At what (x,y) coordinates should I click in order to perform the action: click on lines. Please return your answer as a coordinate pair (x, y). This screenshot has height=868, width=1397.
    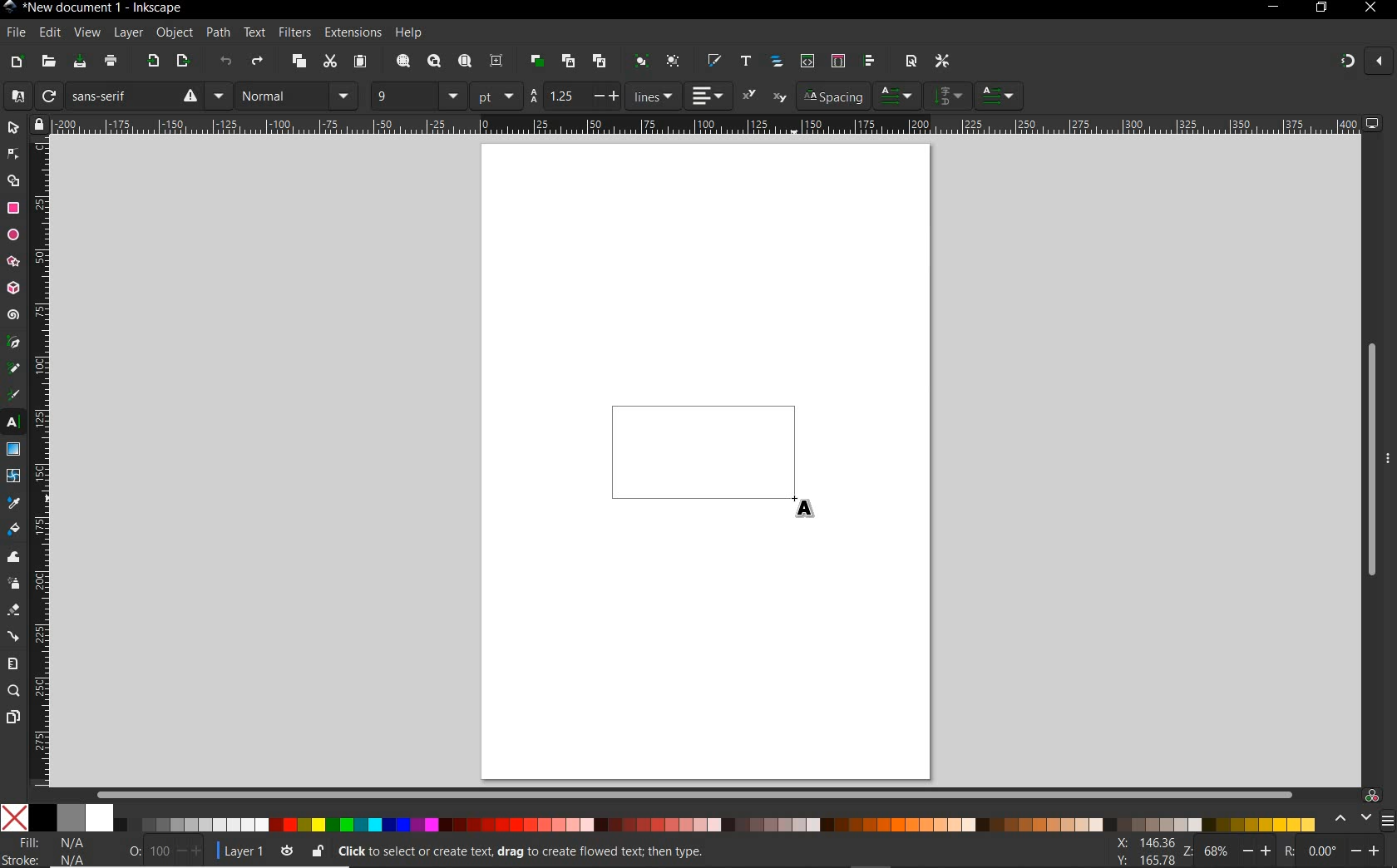
    Looking at the image, I should click on (654, 96).